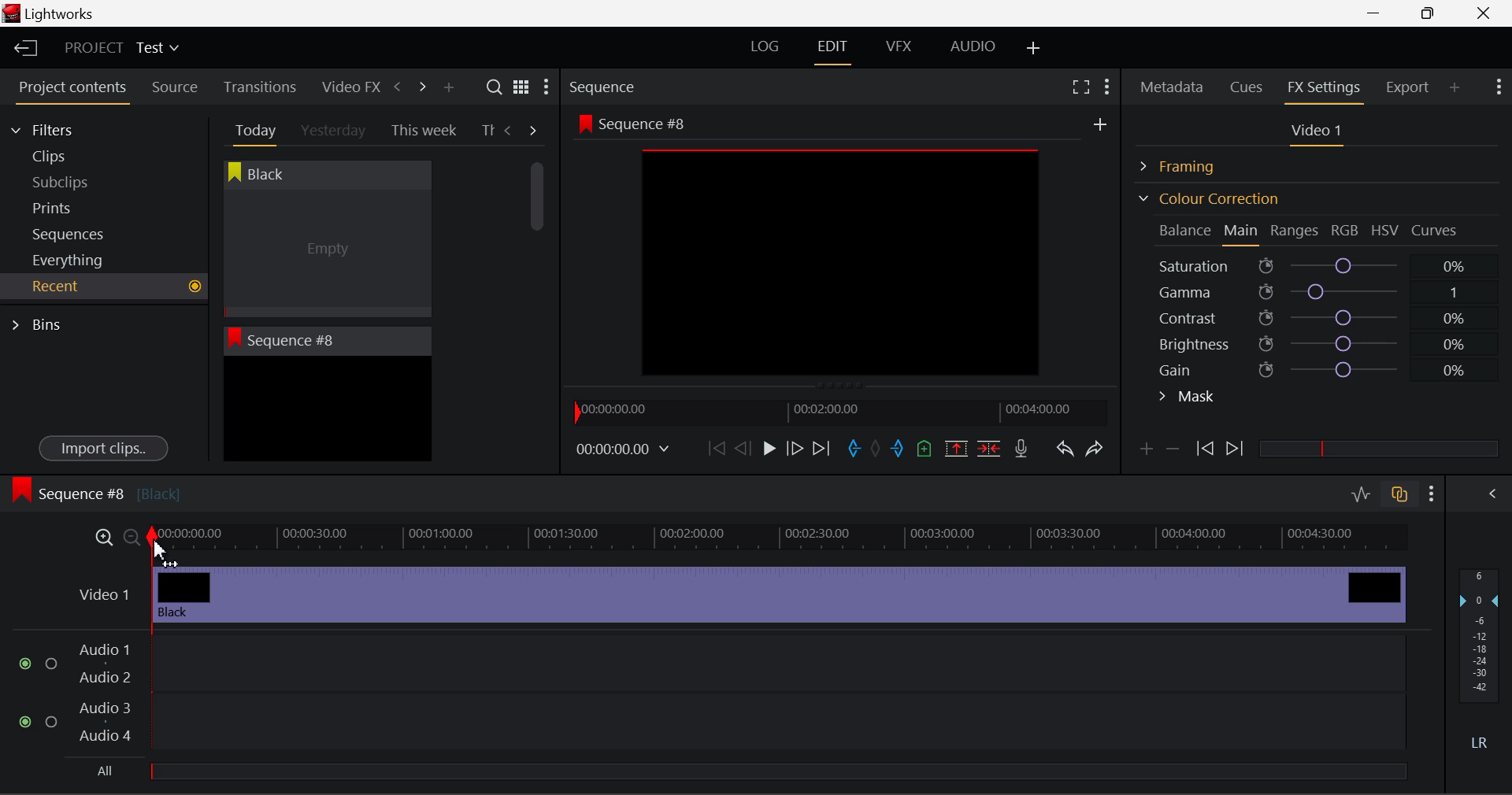  I want to click on Framing Section, so click(1190, 164).